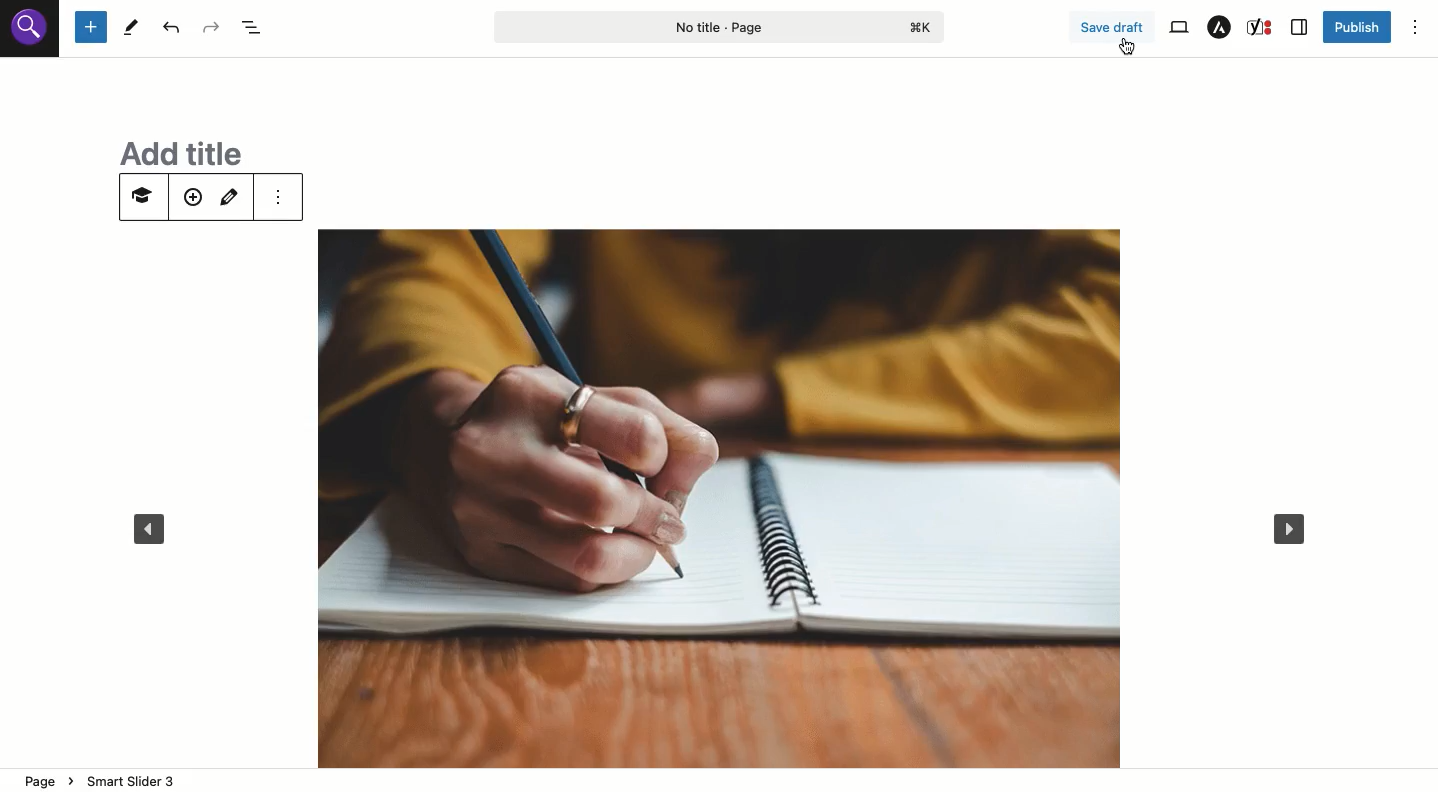 The height and width of the screenshot is (792, 1438). I want to click on page, so click(45, 781).